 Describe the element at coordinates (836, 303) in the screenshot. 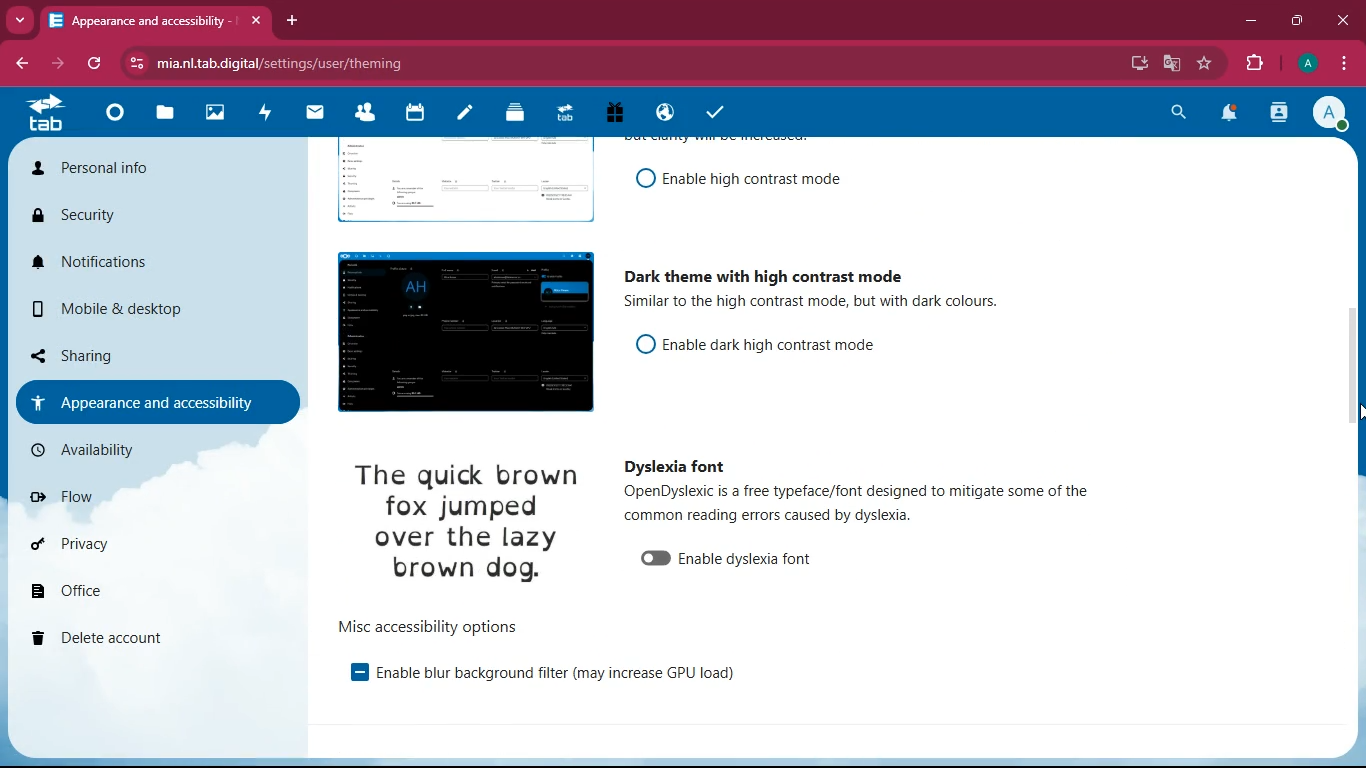

I see `description` at that location.